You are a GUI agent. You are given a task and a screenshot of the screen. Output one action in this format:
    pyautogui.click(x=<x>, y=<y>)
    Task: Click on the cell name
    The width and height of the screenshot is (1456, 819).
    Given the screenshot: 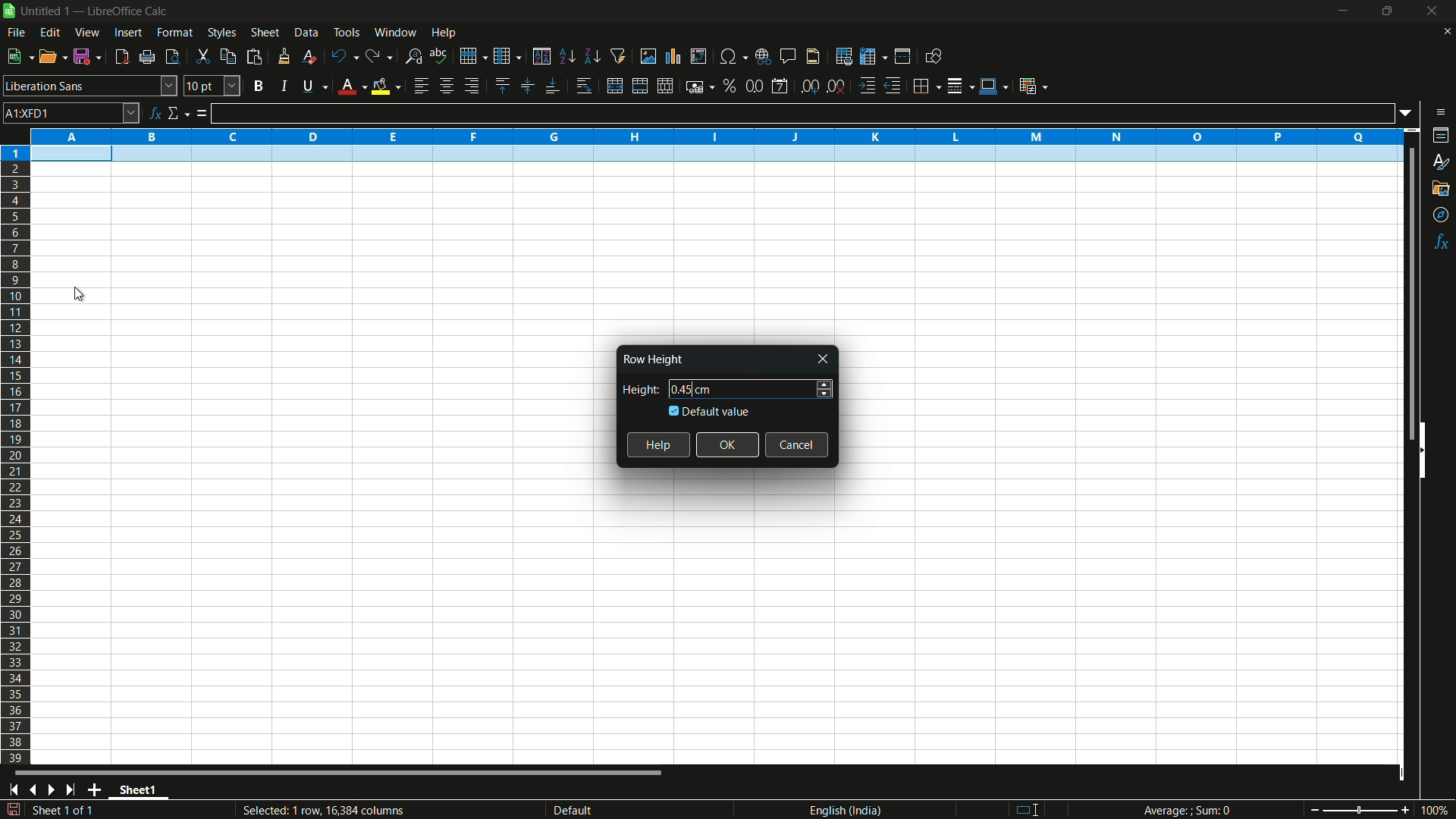 What is the action you would take?
    pyautogui.click(x=71, y=112)
    